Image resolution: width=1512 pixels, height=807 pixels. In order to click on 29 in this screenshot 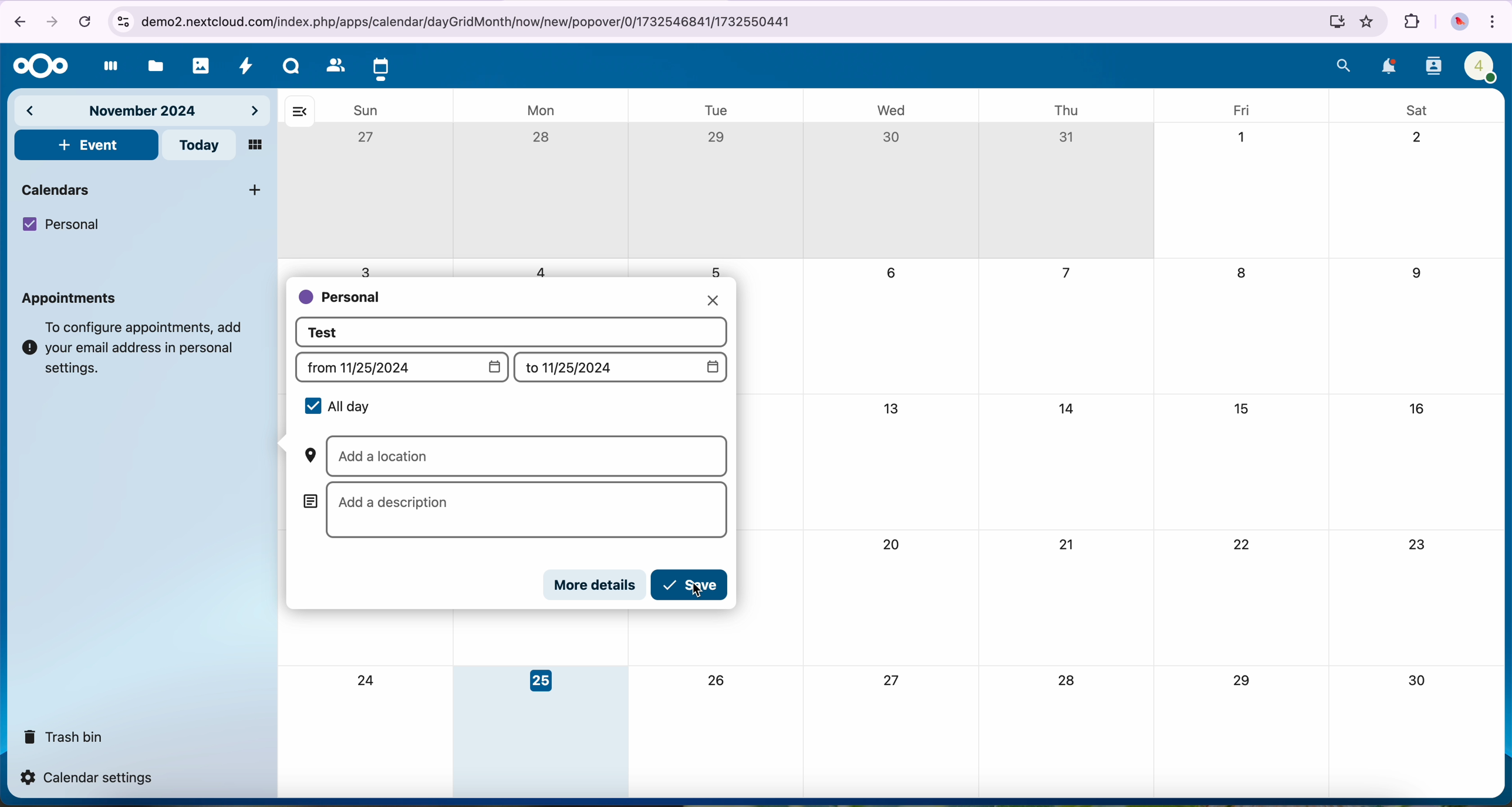, I will do `click(1240, 681)`.